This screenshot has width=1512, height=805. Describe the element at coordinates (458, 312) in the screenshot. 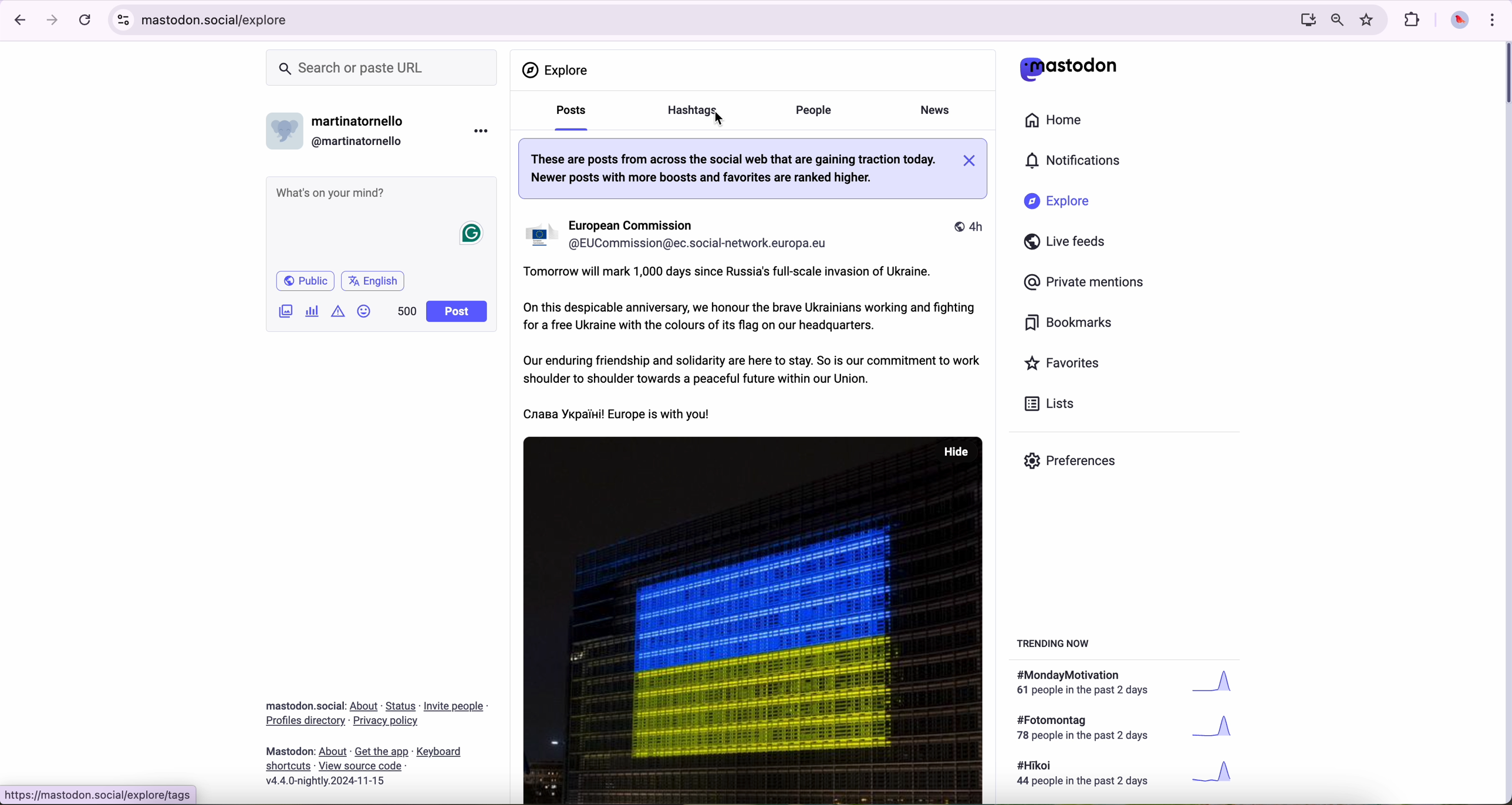

I see `post` at that location.